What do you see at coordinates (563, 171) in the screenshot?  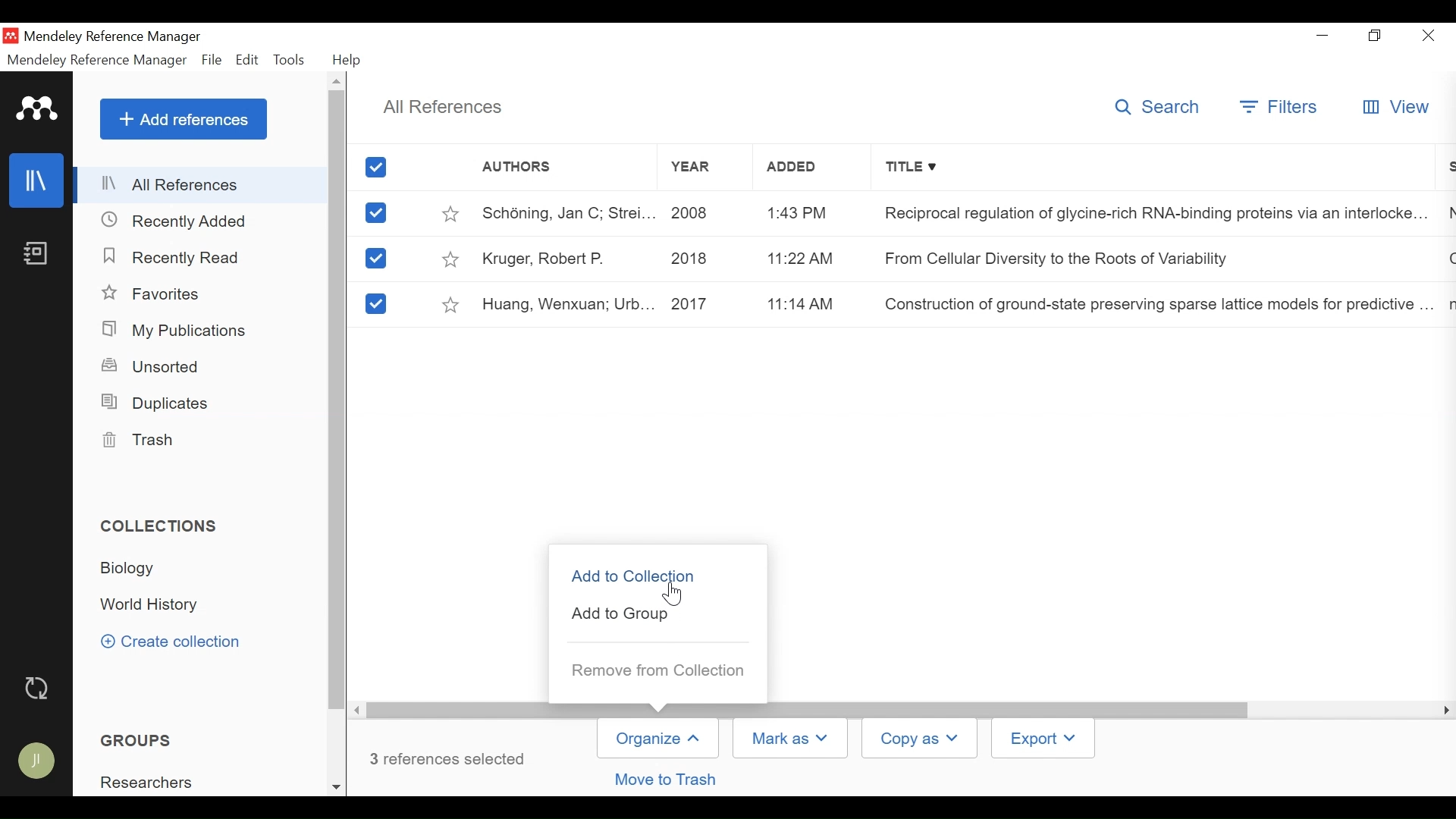 I see `Authors` at bounding box center [563, 171].